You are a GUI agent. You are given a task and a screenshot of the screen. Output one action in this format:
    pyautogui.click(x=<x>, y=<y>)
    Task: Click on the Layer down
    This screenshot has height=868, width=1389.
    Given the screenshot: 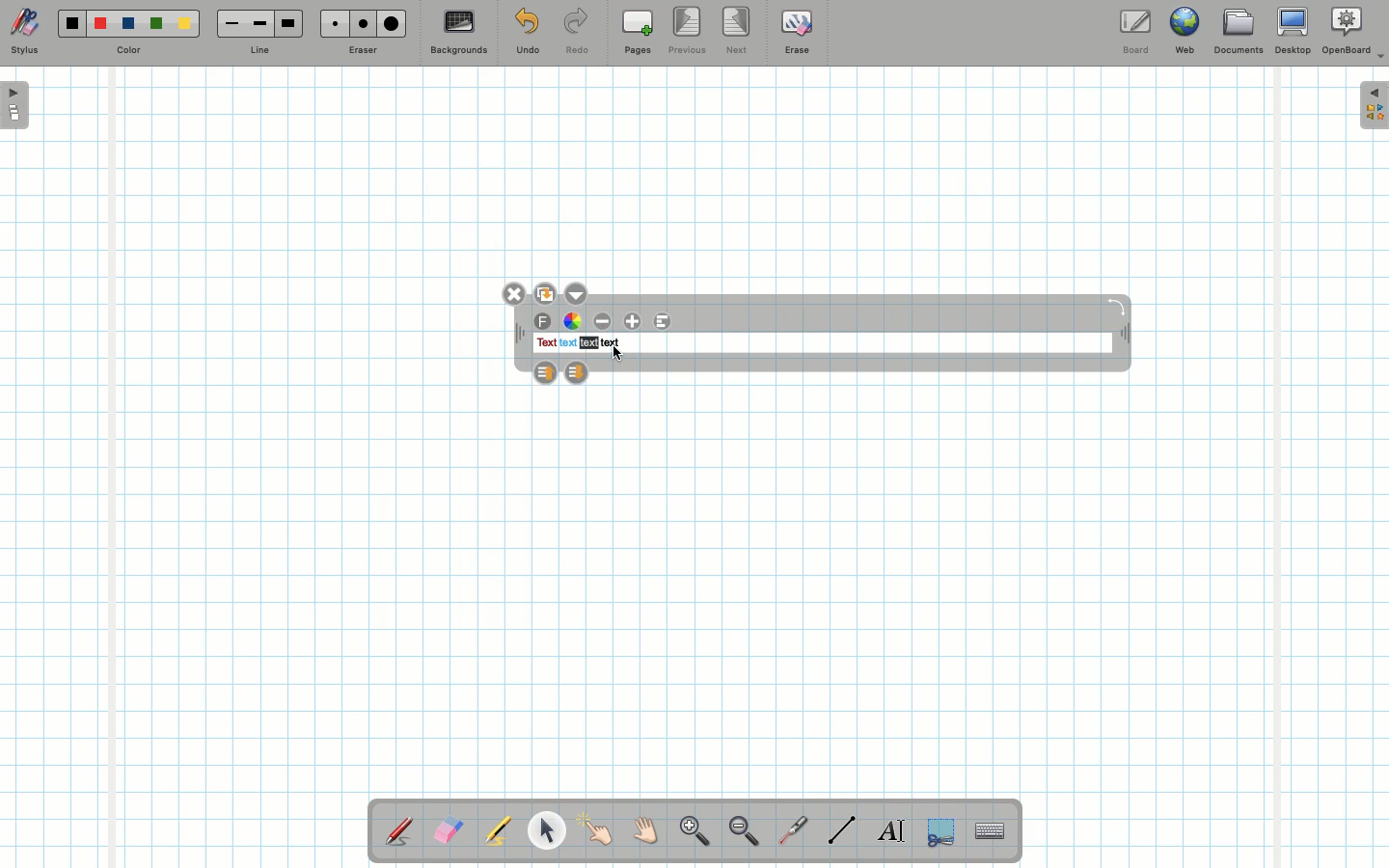 What is the action you would take?
    pyautogui.click(x=578, y=372)
    